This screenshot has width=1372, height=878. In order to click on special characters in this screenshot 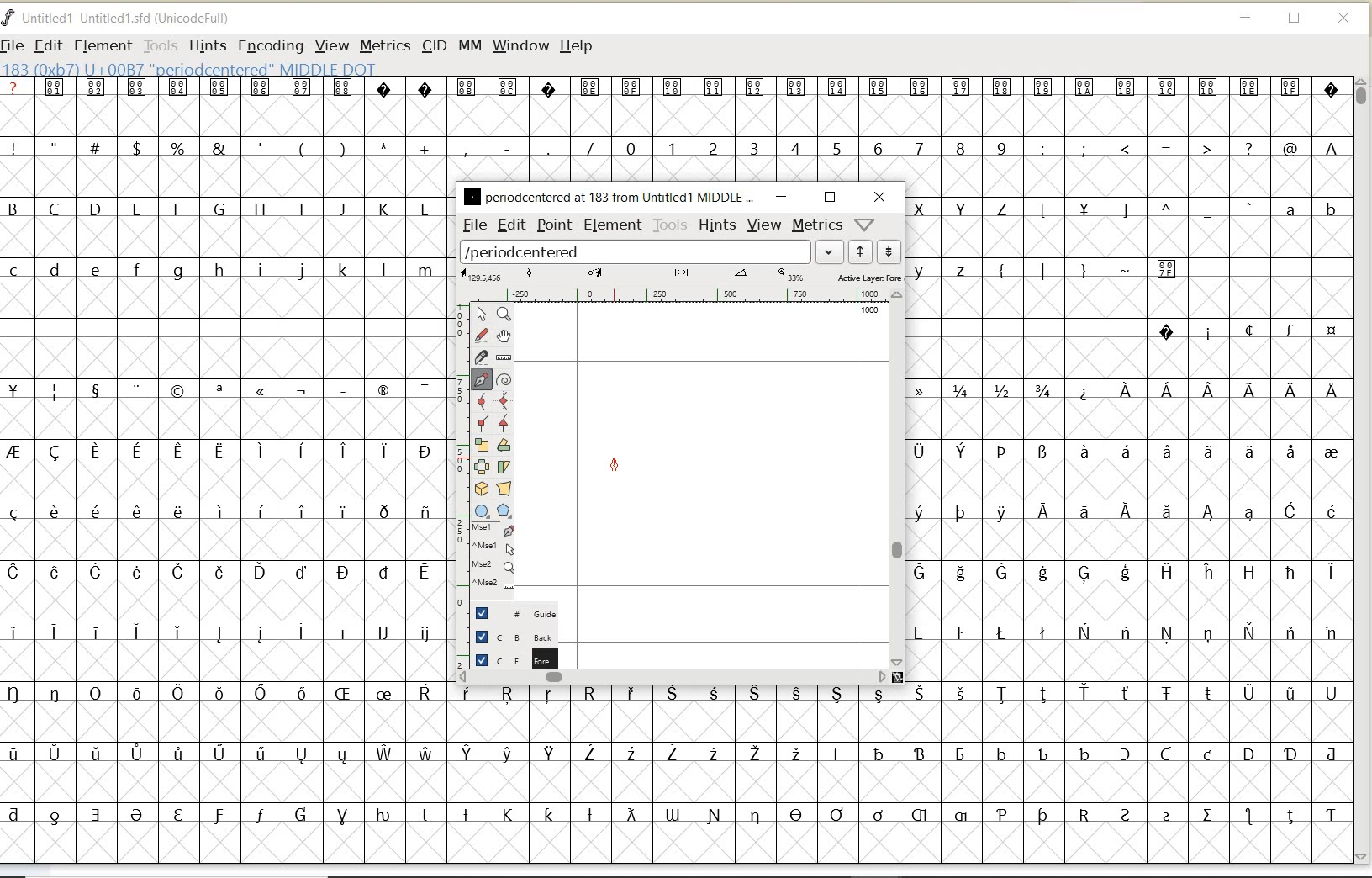, I will do `click(1108, 276)`.